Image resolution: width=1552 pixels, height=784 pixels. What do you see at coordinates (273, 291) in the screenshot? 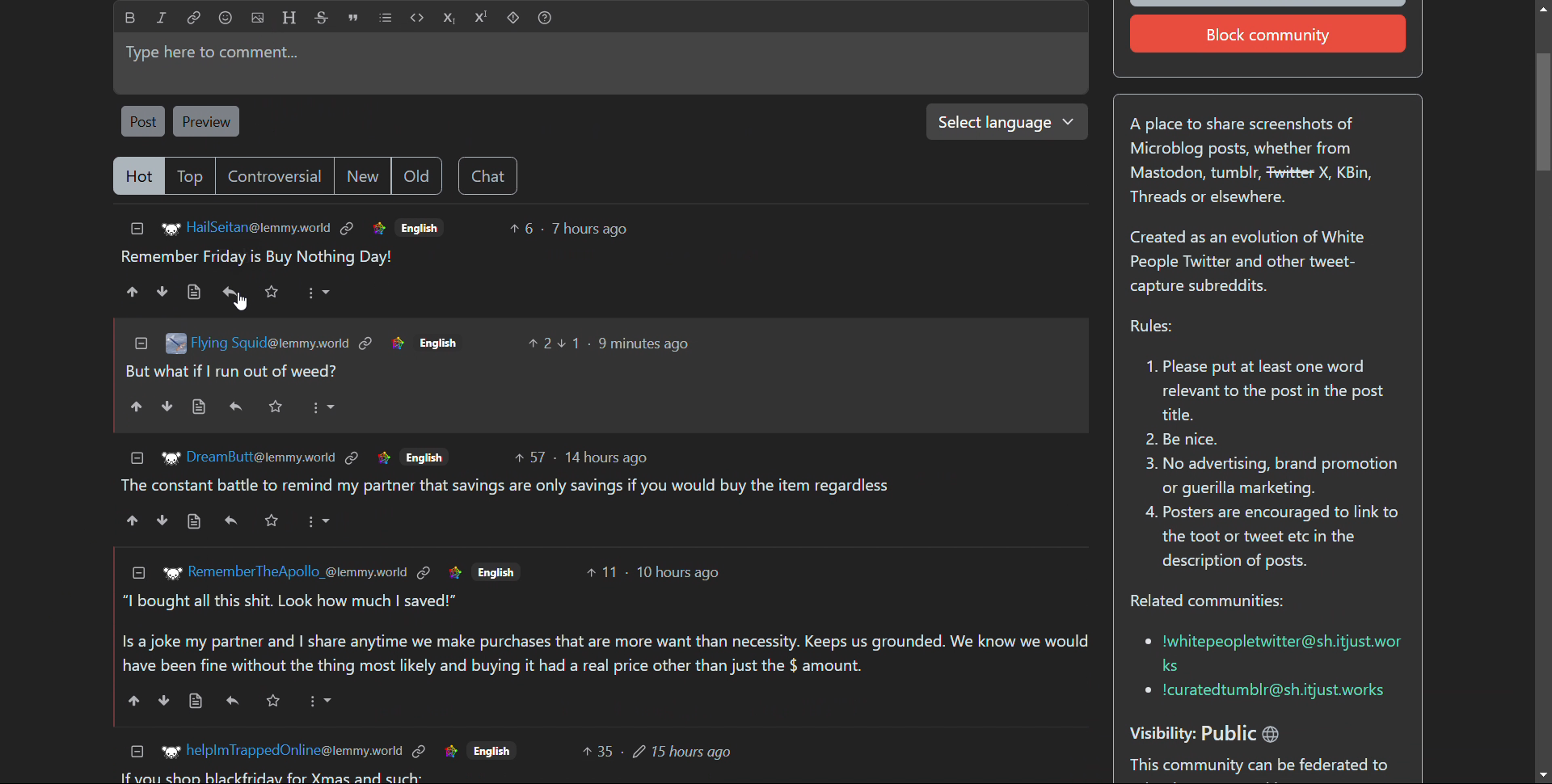
I see `Favorite` at bounding box center [273, 291].